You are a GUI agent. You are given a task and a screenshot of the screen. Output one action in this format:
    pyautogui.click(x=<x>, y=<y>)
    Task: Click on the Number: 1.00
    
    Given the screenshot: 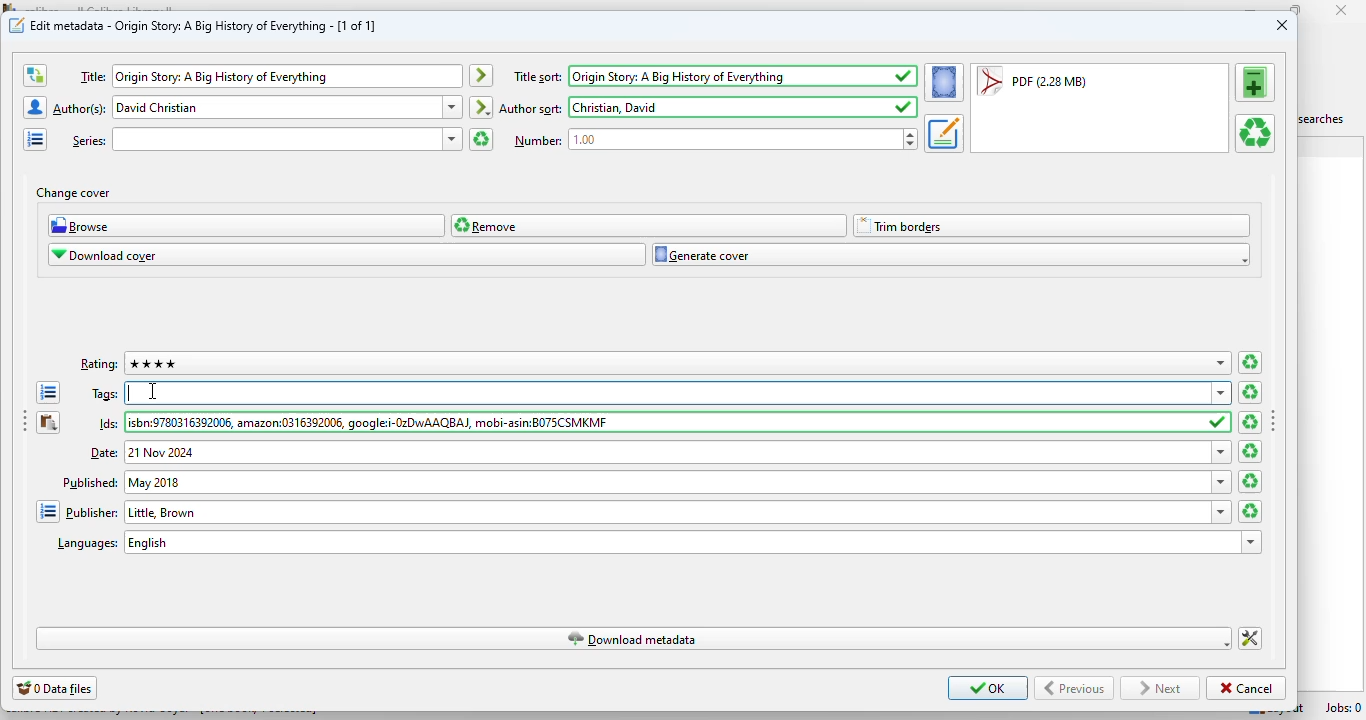 What is the action you would take?
    pyautogui.click(x=735, y=139)
    